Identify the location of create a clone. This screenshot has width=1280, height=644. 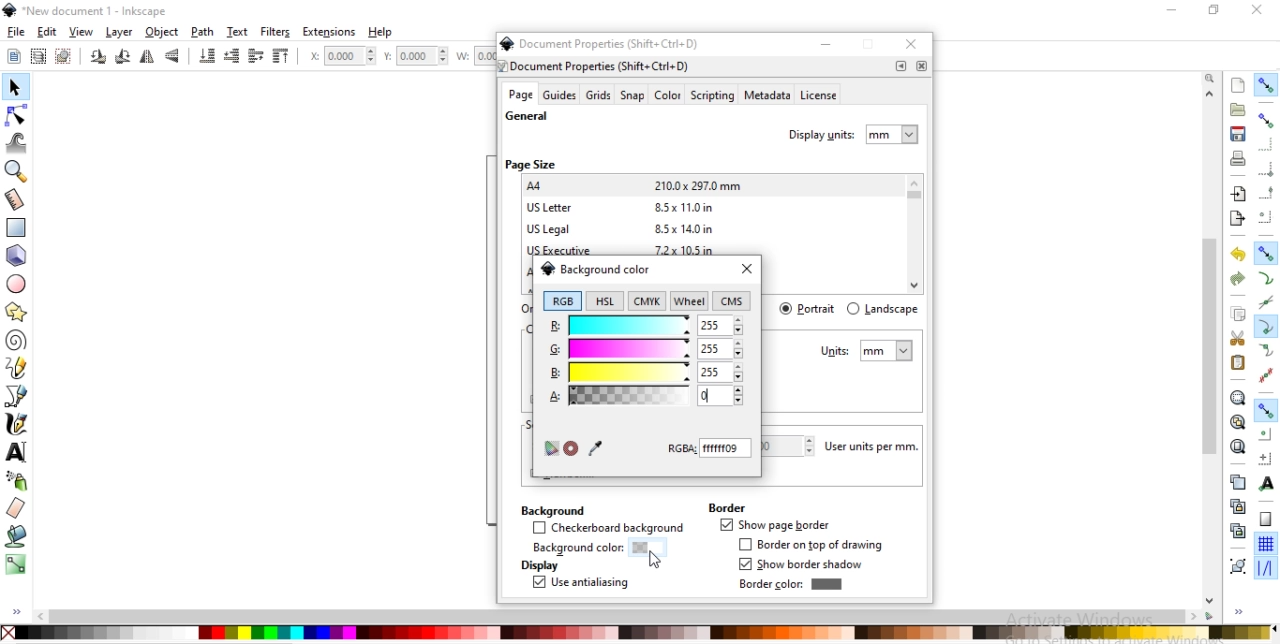
(1236, 506).